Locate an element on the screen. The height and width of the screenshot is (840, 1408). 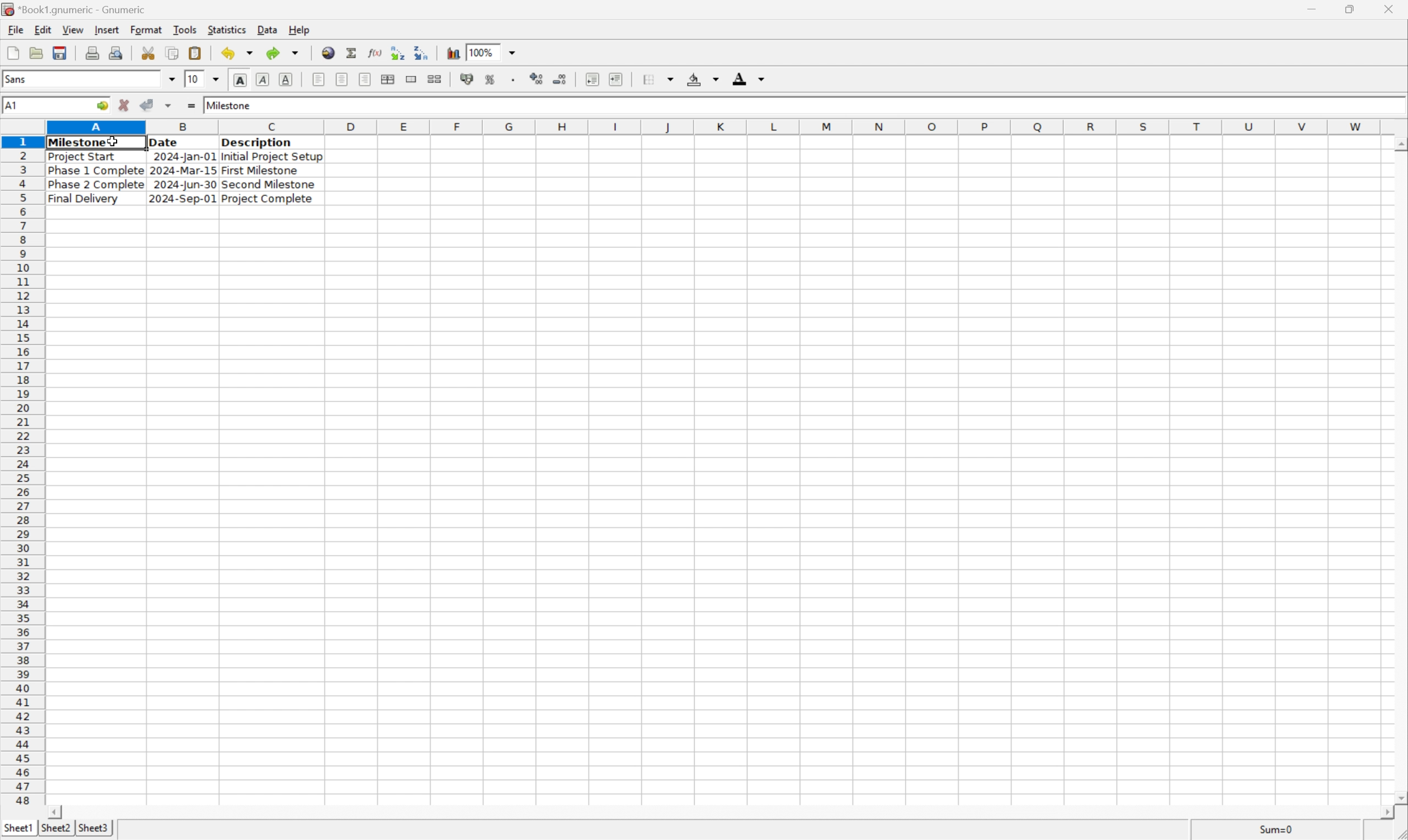
A1 is located at coordinates (18, 106).